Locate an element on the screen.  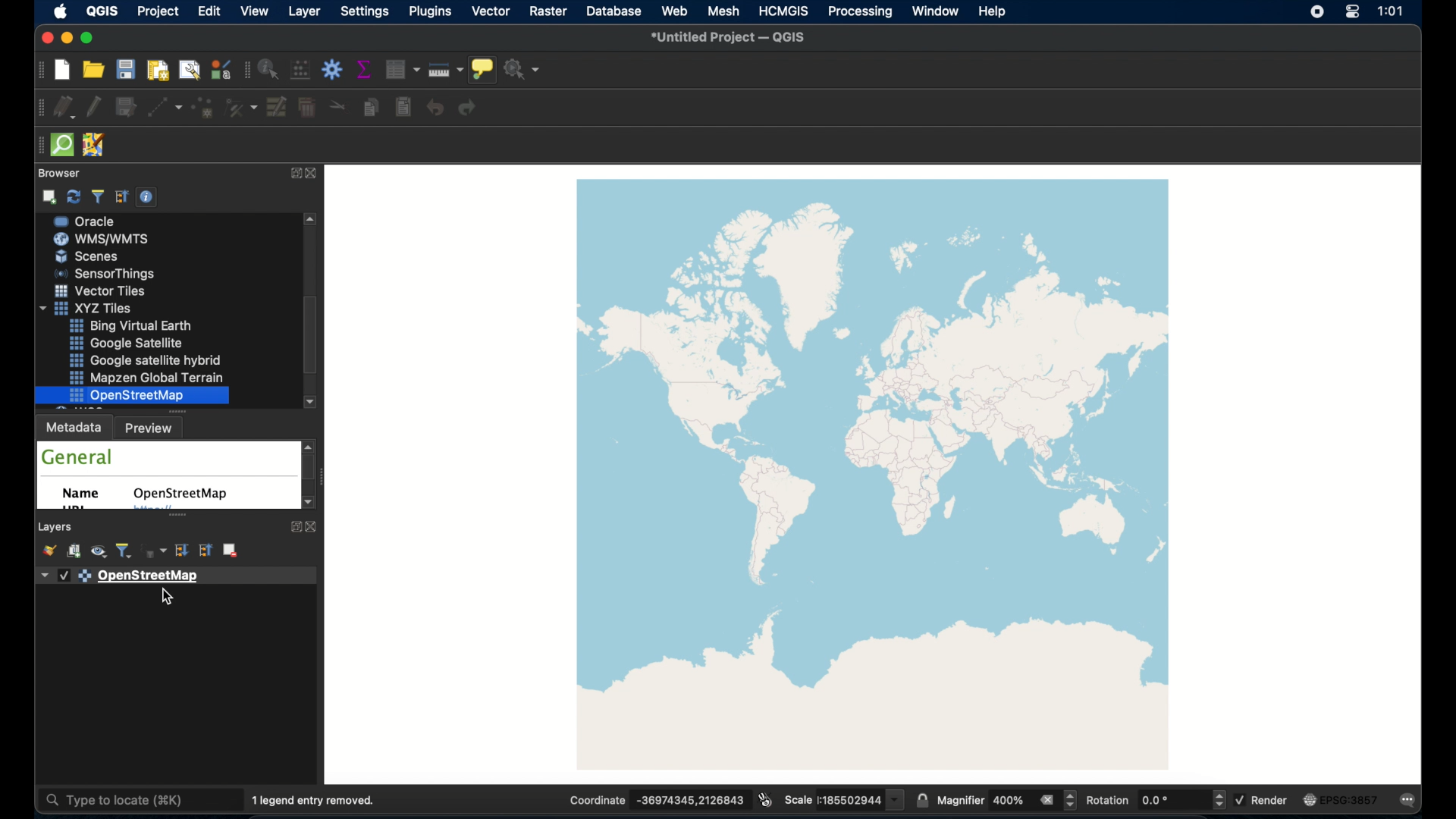
screen recorder is located at coordinates (1315, 11).